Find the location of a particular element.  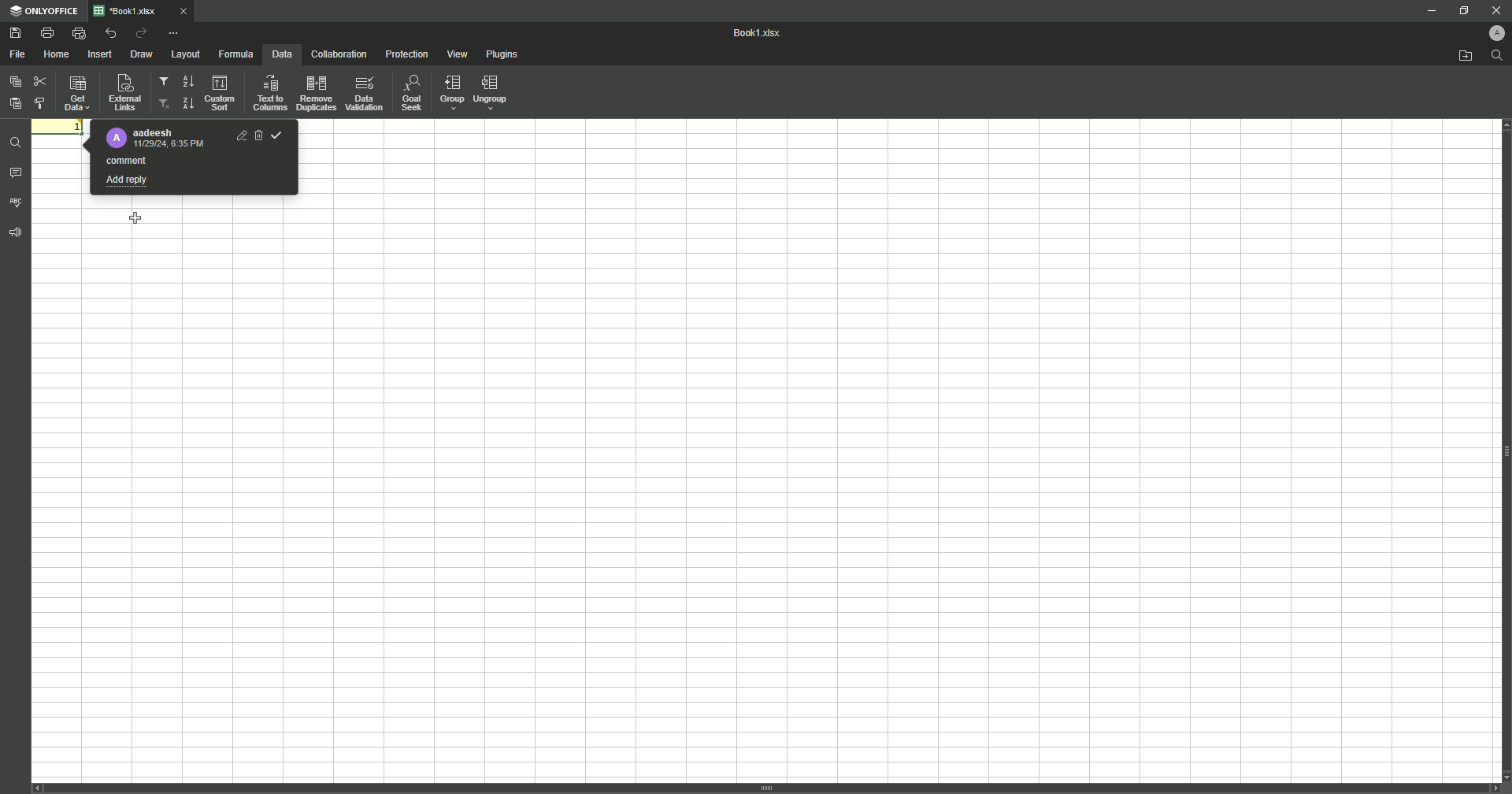

Get Data is located at coordinates (76, 95).